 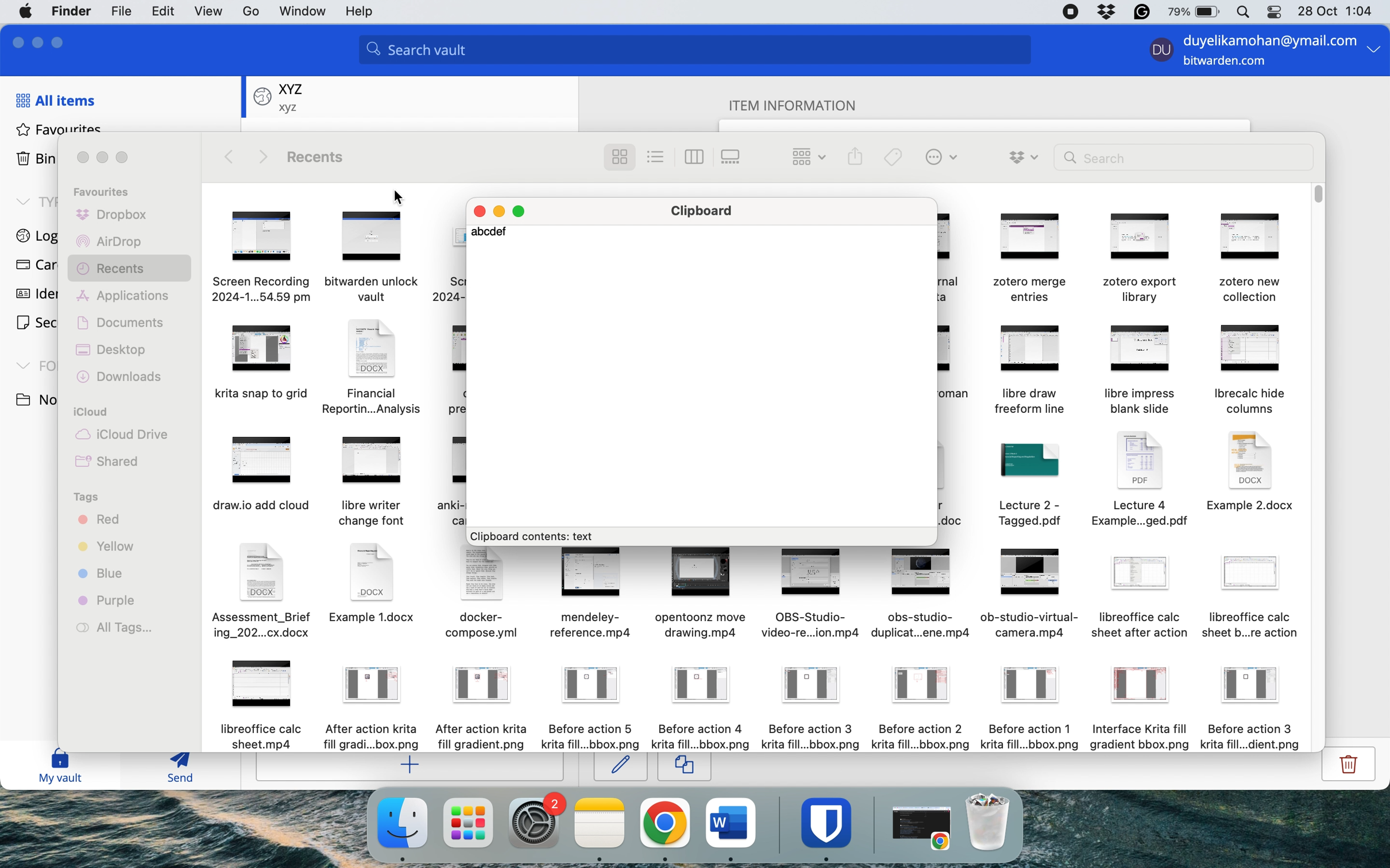 What do you see at coordinates (107, 549) in the screenshot?
I see `yellow tag` at bounding box center [107, 549].